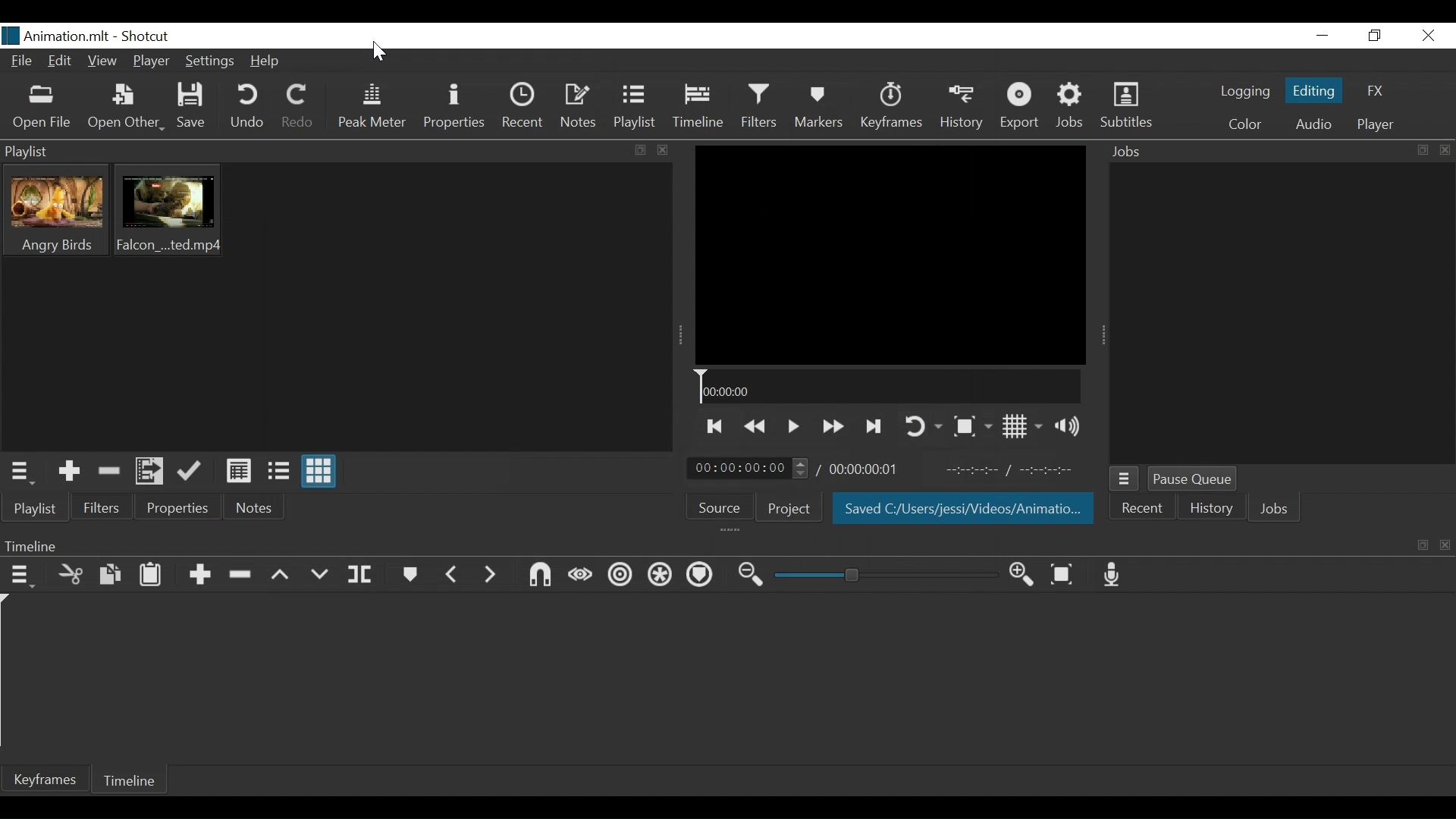 This screenshot has height=819, width=1456. Describe the element at coordinates (55, 37) in the screenshot. I see `File name` at that location.